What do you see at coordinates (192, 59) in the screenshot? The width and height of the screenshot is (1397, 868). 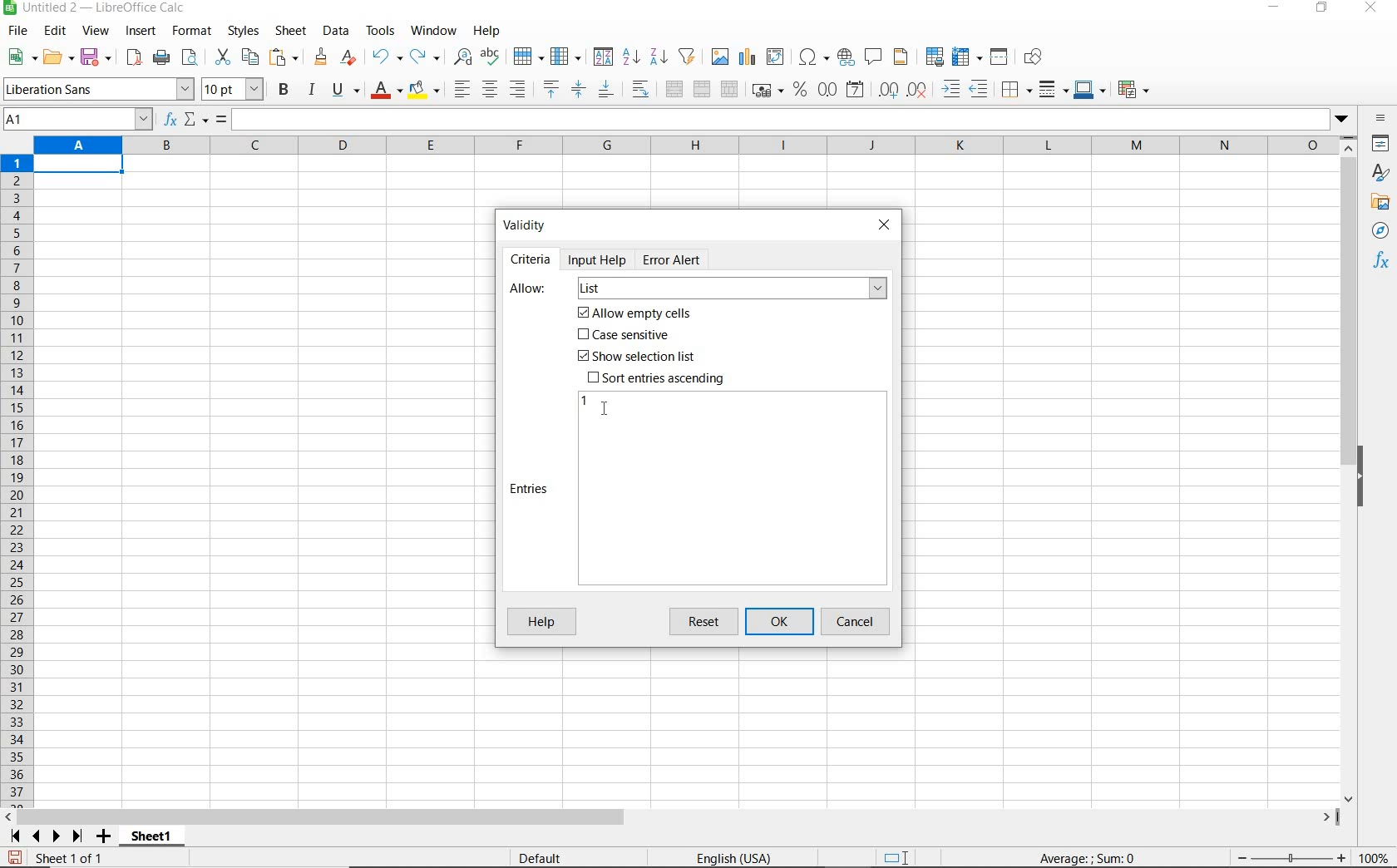 I see `toggle print preview` at bounding box center [192, 59].